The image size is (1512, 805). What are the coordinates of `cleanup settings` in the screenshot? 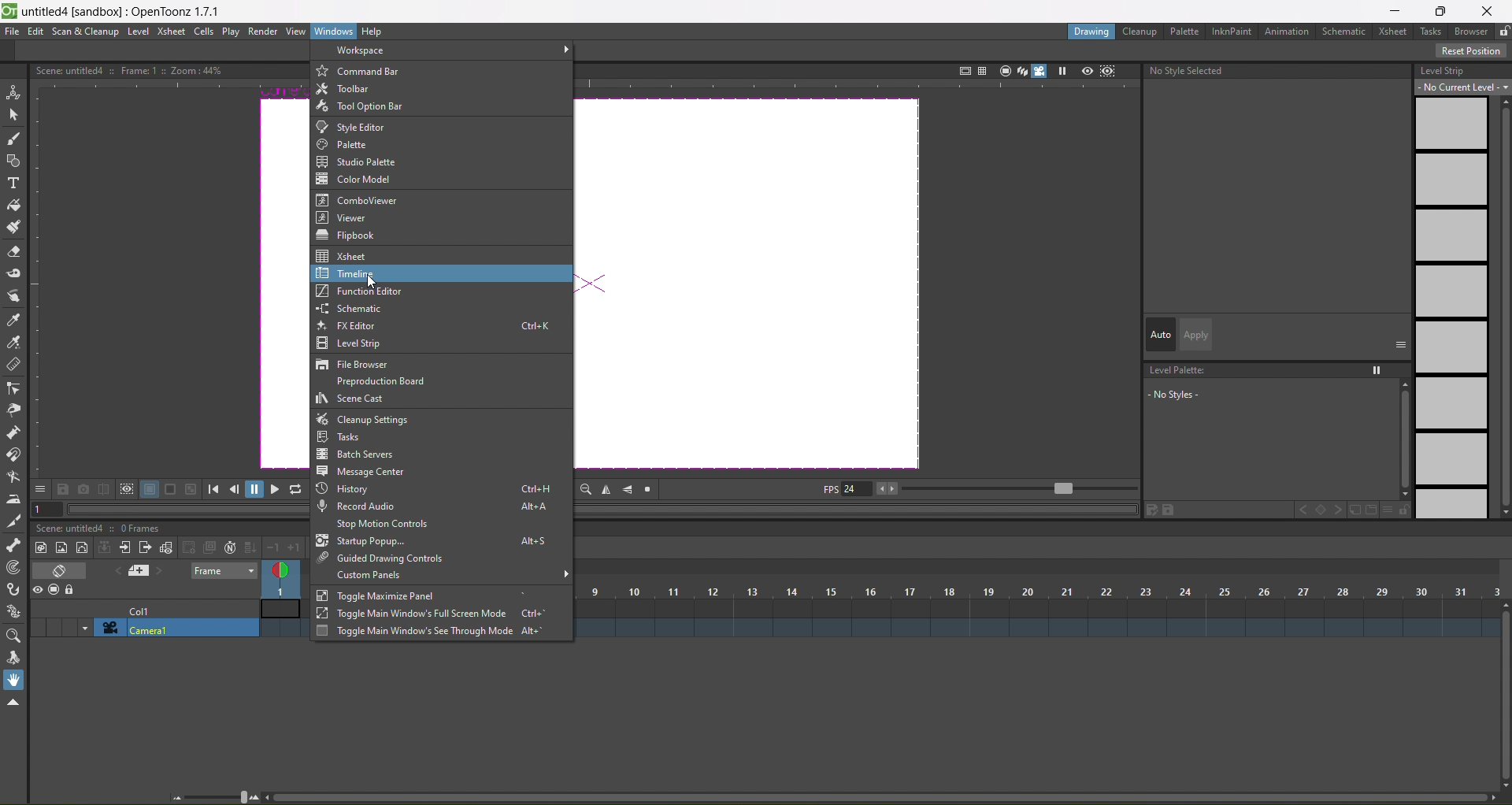 It's located at (361, 420).